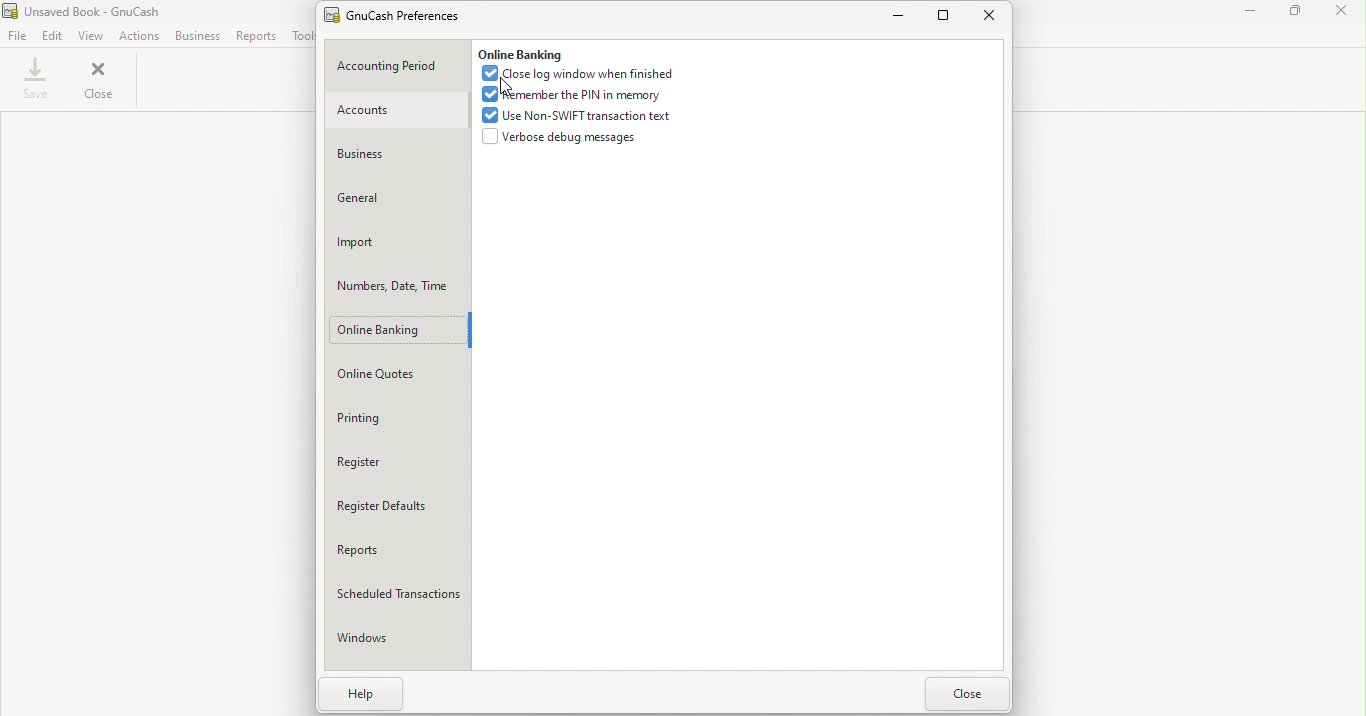 Image resolution: width=1366 pixels, height=716 pixels. I want to click on cursor, so click(503, 86).